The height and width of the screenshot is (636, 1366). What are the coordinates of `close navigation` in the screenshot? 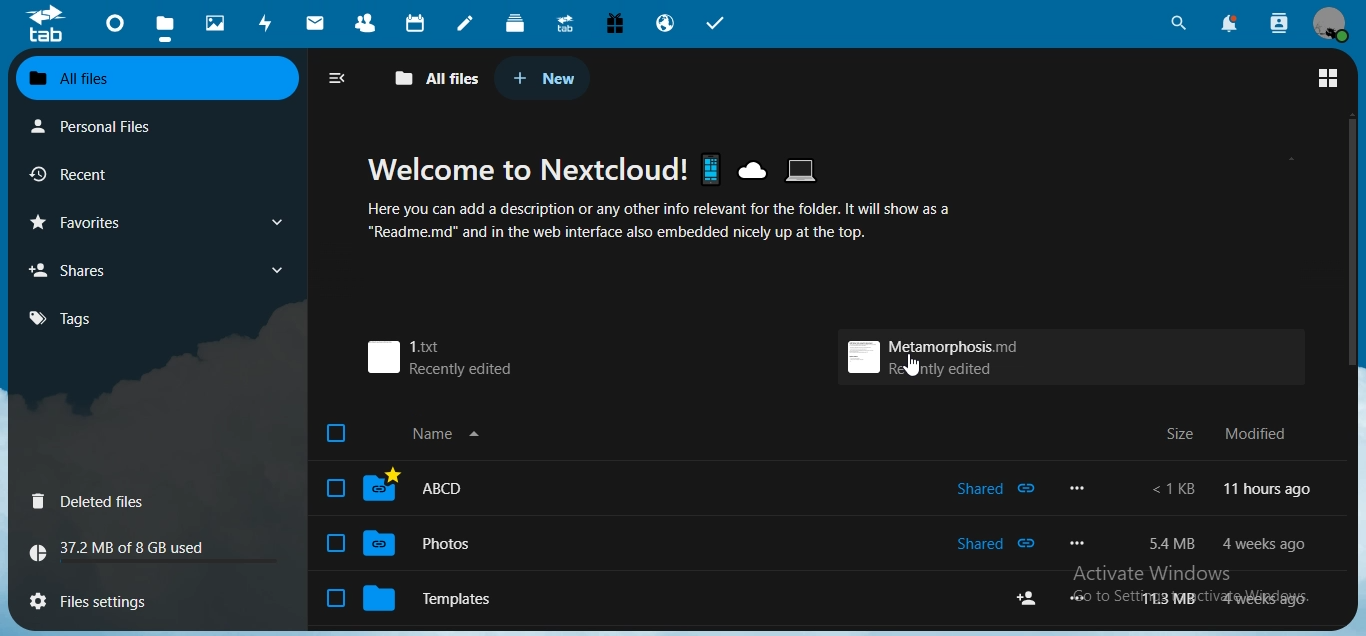 It's located at (339, 78).